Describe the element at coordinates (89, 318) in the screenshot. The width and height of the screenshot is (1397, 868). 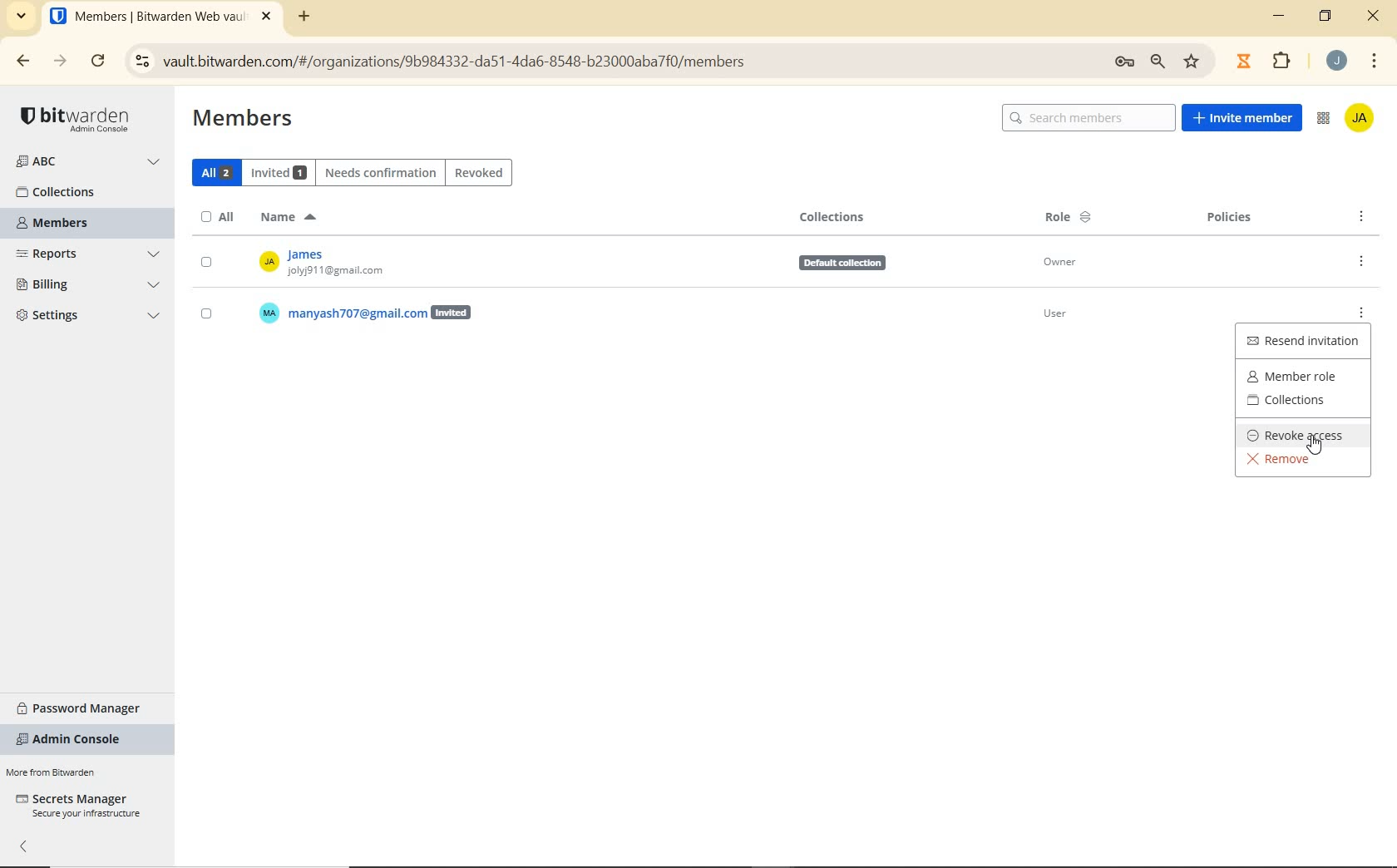
I see `SETTINGS` at that location.